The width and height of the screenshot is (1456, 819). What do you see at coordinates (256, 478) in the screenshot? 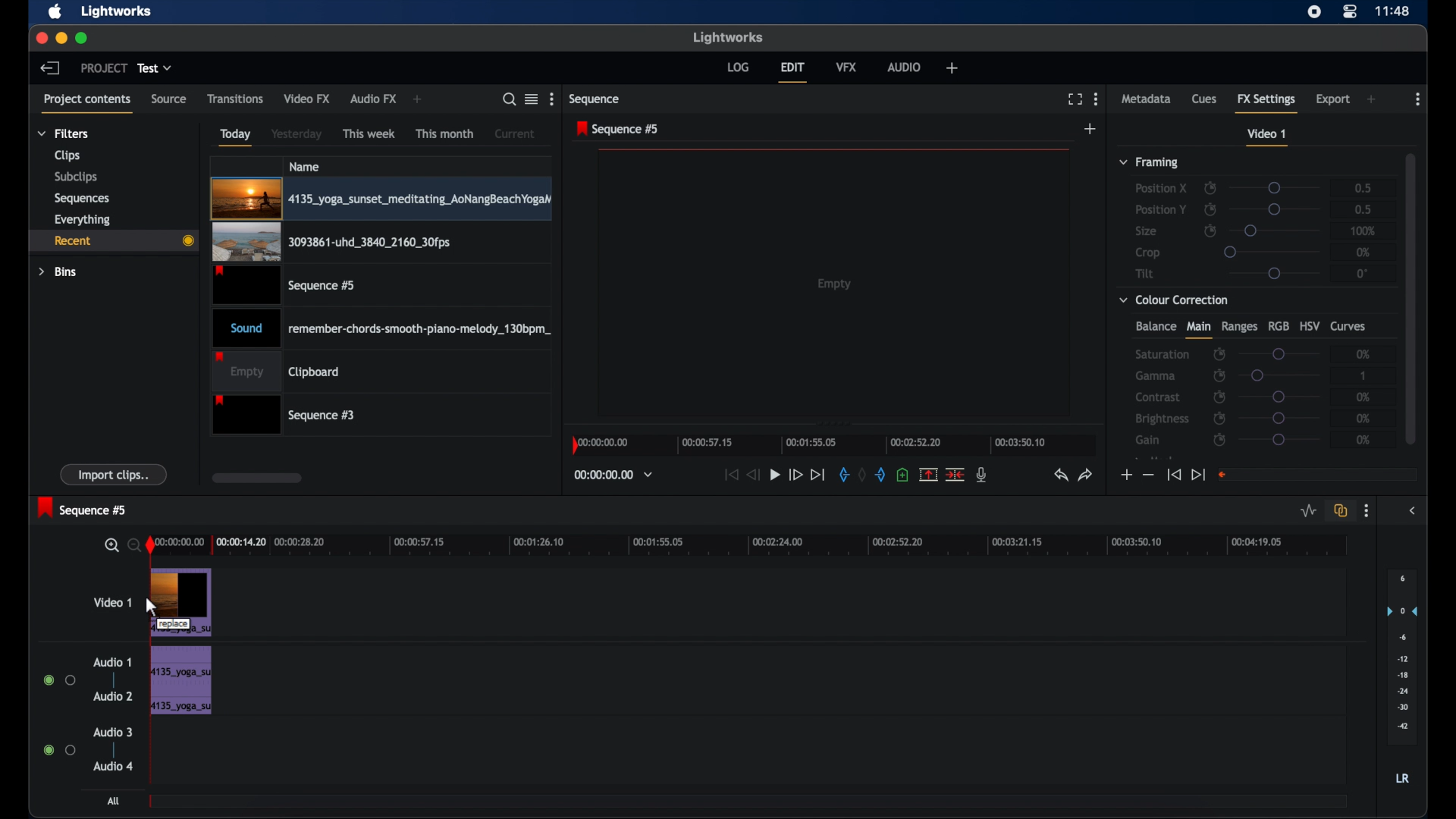
I see `scroll box` at bounding box center [256, 478].